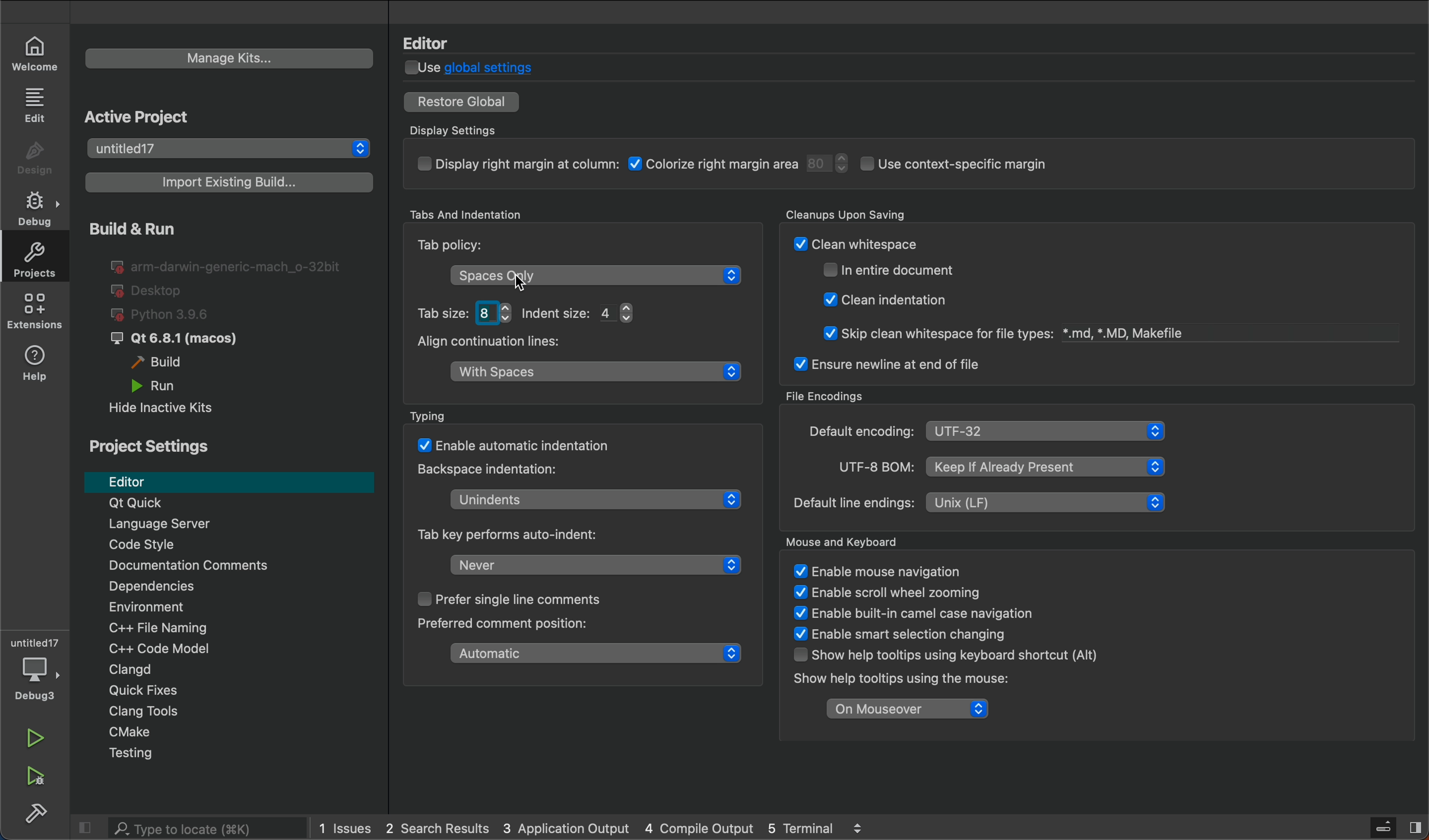 This screenshot has height=840, width=1429. I want to click on Environment , so click(237, 609).